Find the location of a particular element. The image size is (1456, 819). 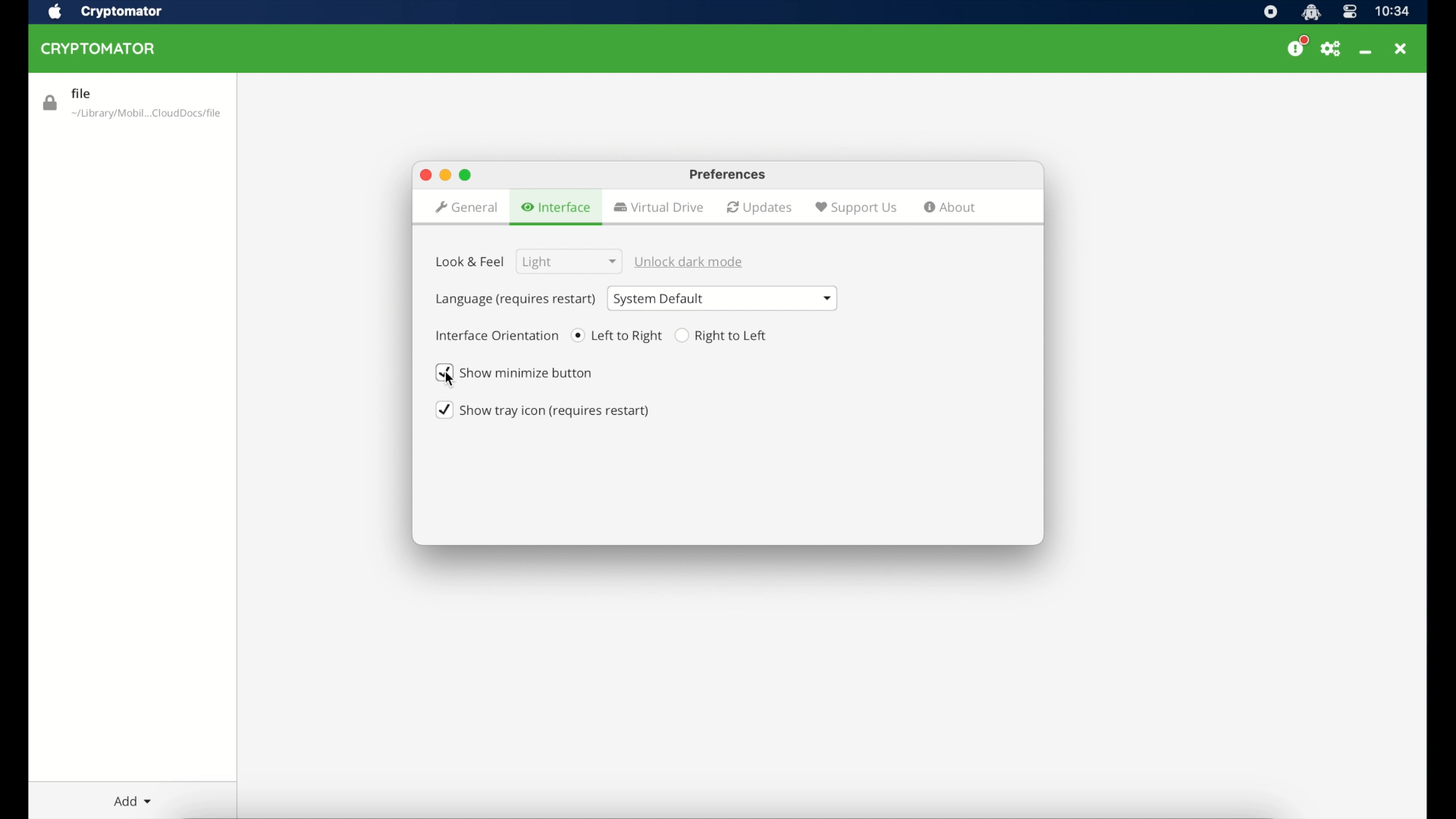

light is located at coordinates (566, 262).